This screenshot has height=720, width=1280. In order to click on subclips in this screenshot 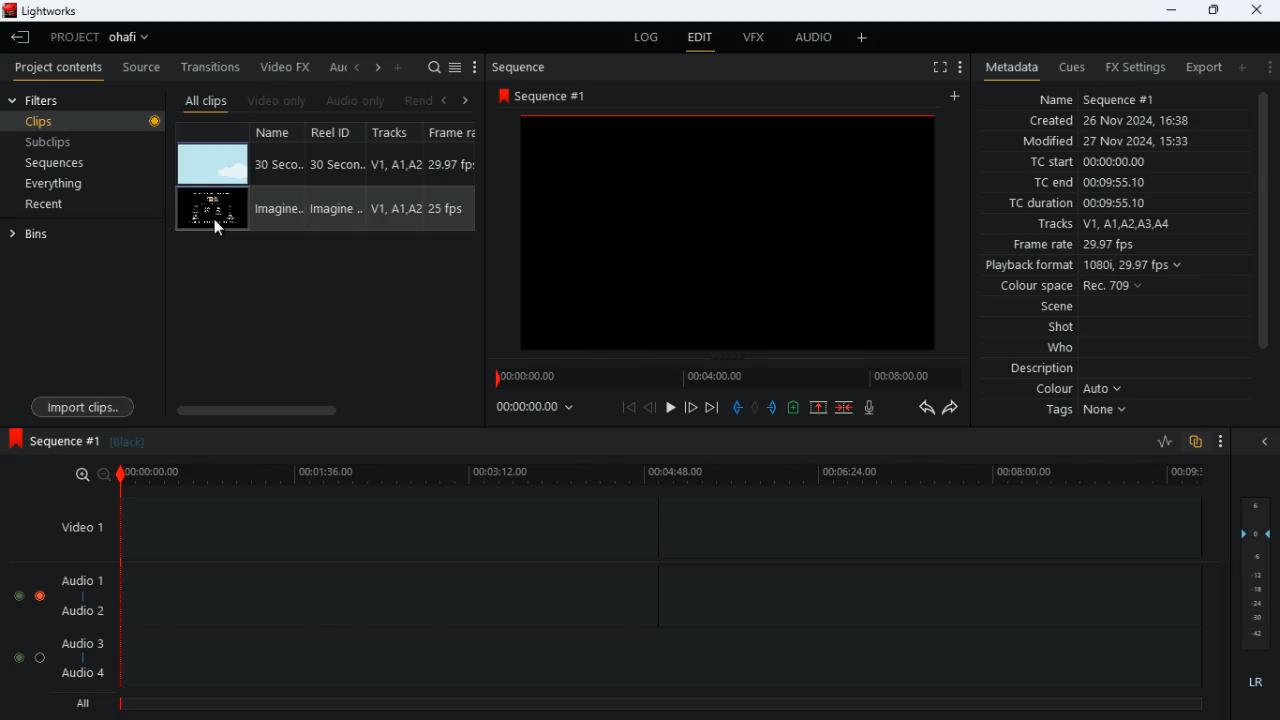, I will do `click(76, 142)`.